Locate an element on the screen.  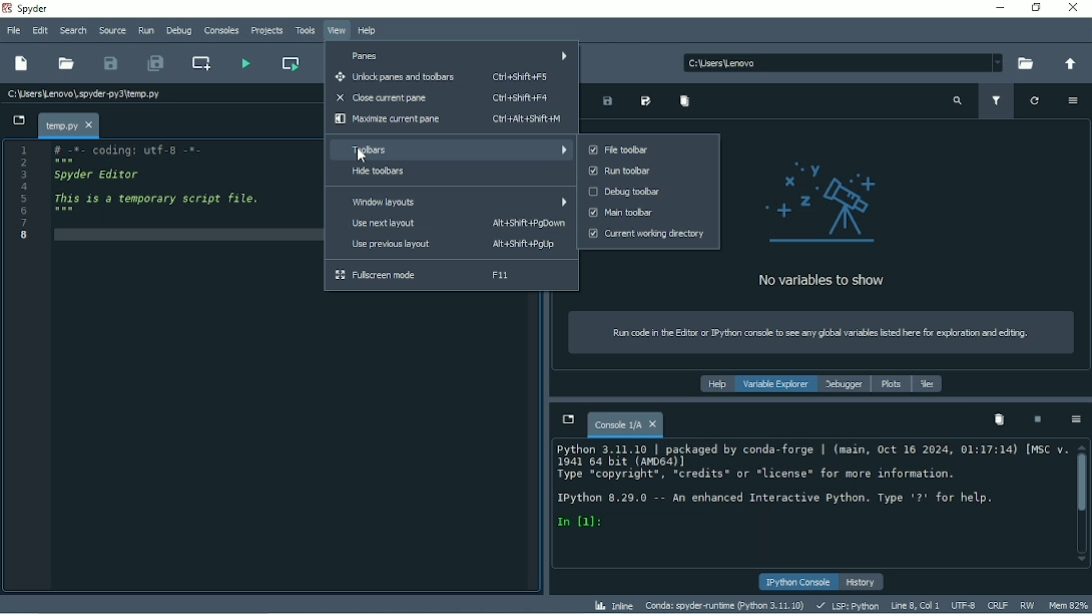
Source is located at coordinates (112, 30).